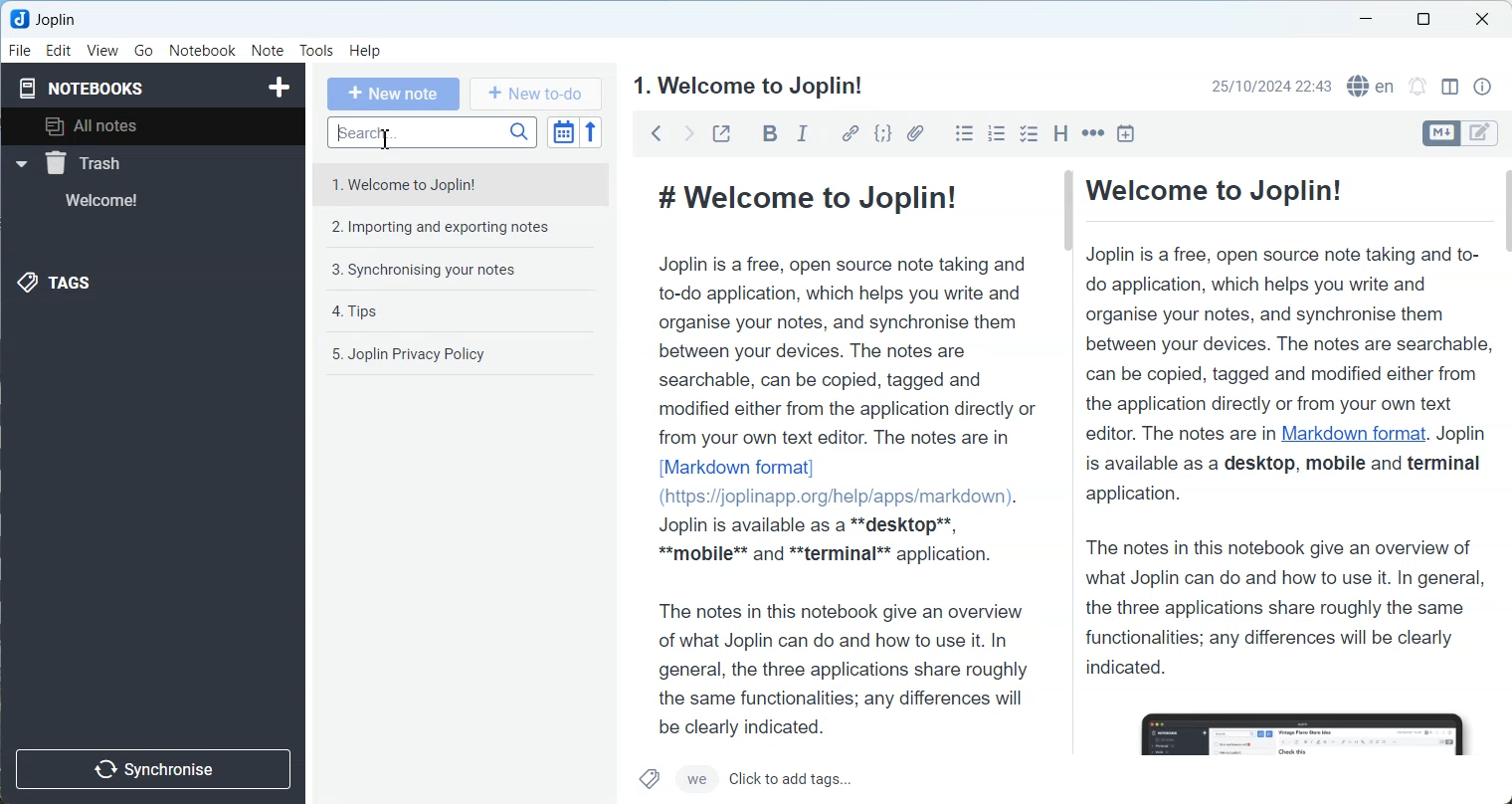 The height and width of the screenshot is (804, 1512). What do you see at coordinates (1482, 86) in the screenshot?
I see `Note Properties` at bounding box center [1482, 86].